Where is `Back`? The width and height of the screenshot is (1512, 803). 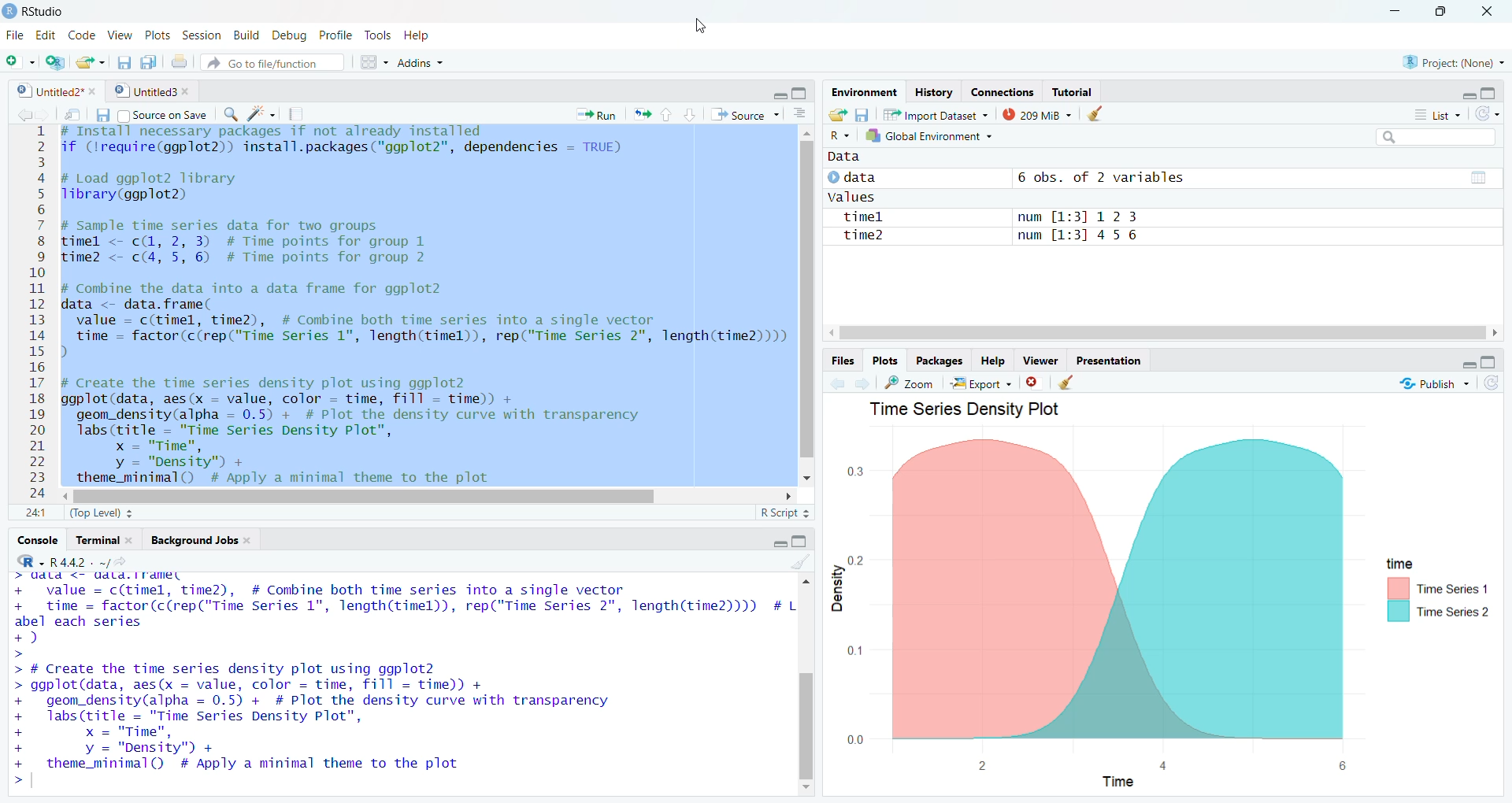
Back is located at coordinates (18, 116).